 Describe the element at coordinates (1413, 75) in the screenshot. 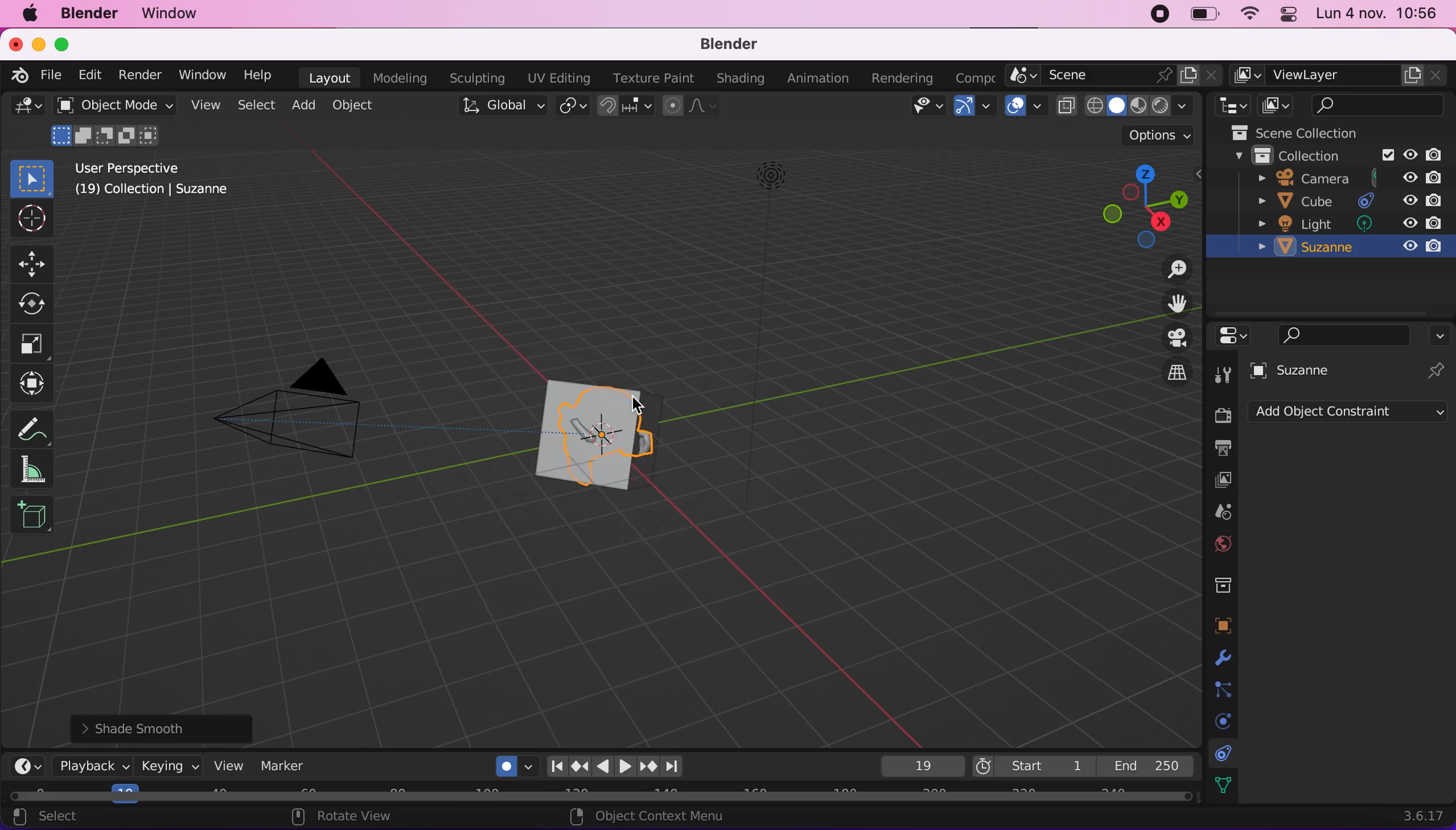

I see `Add layer` at that location.